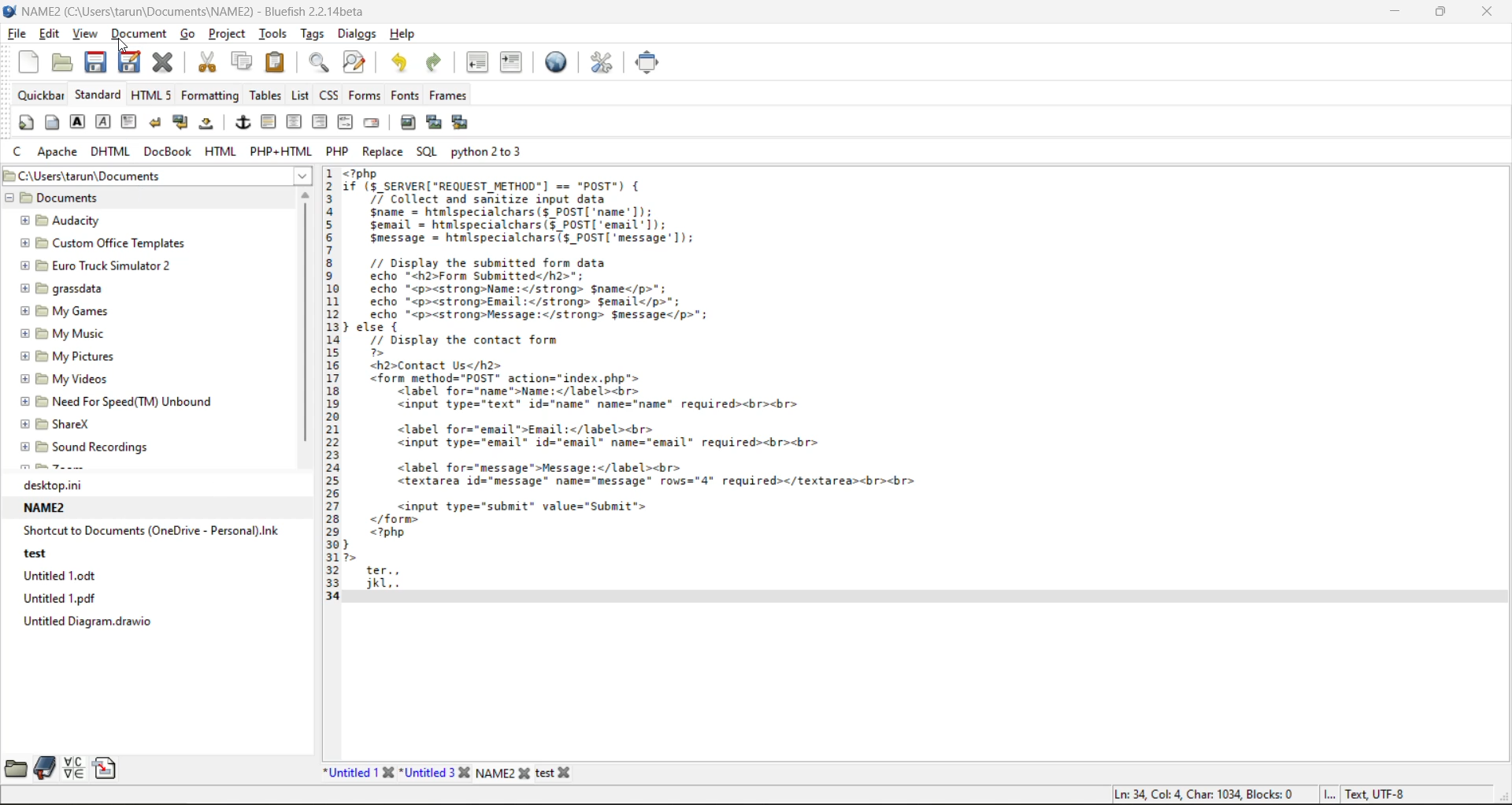 Image resolution: width=1512 pixels, height=805 pixels. I want to click on anchor, so click(243, 123).